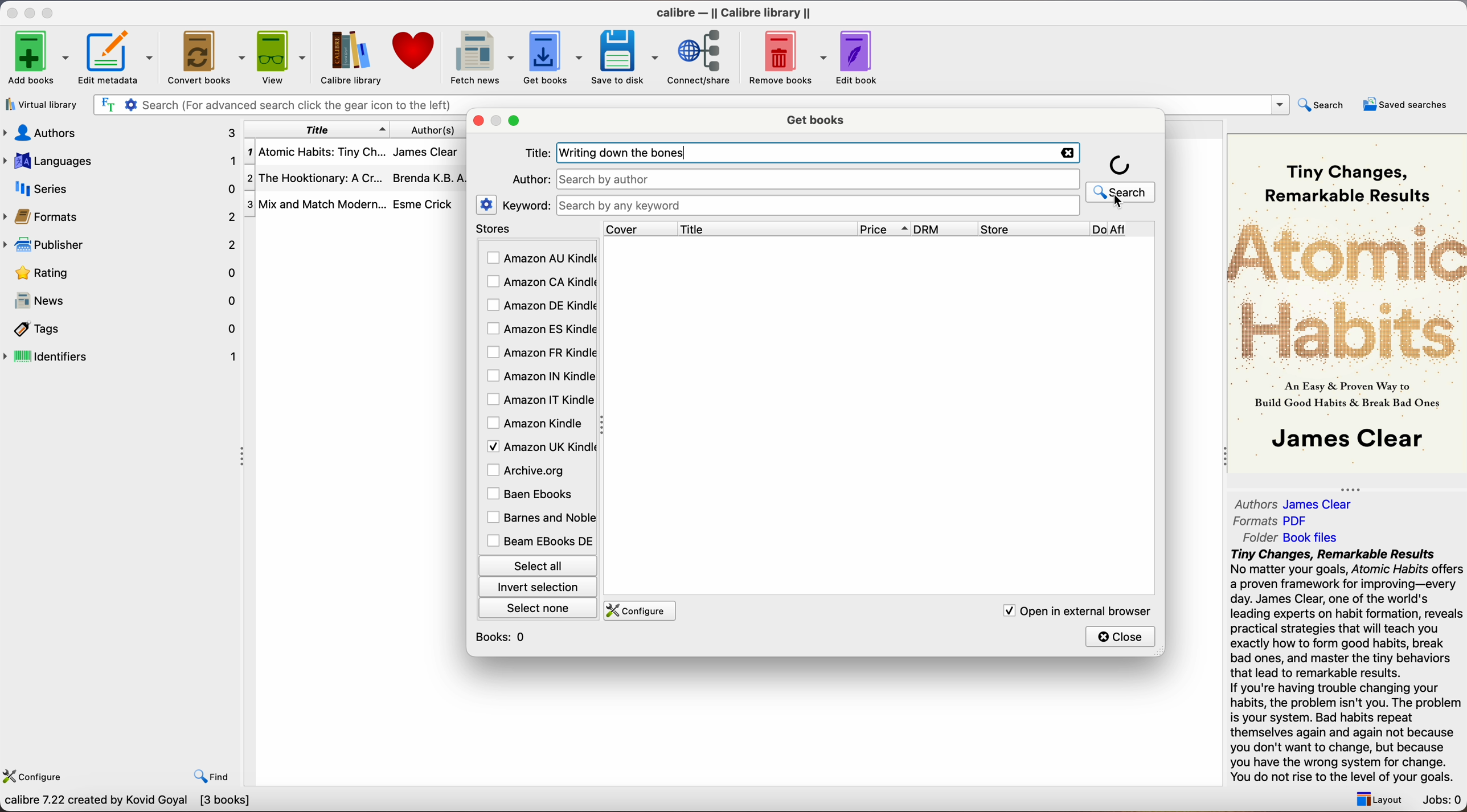  Describe the element at coordinates (121, 188) in the screenshot. I see `series` at that location.